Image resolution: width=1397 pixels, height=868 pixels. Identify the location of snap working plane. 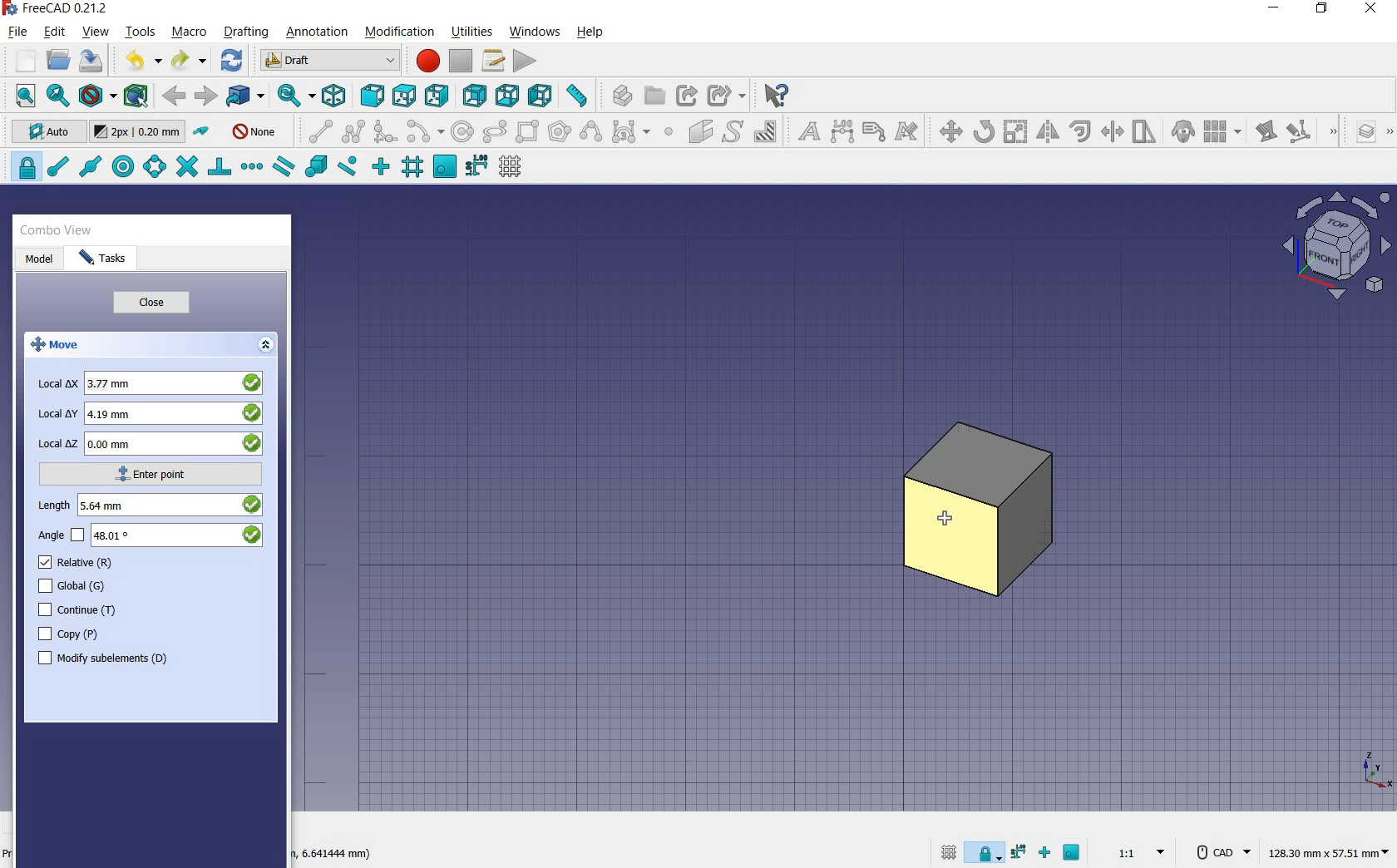
(1073, 853).